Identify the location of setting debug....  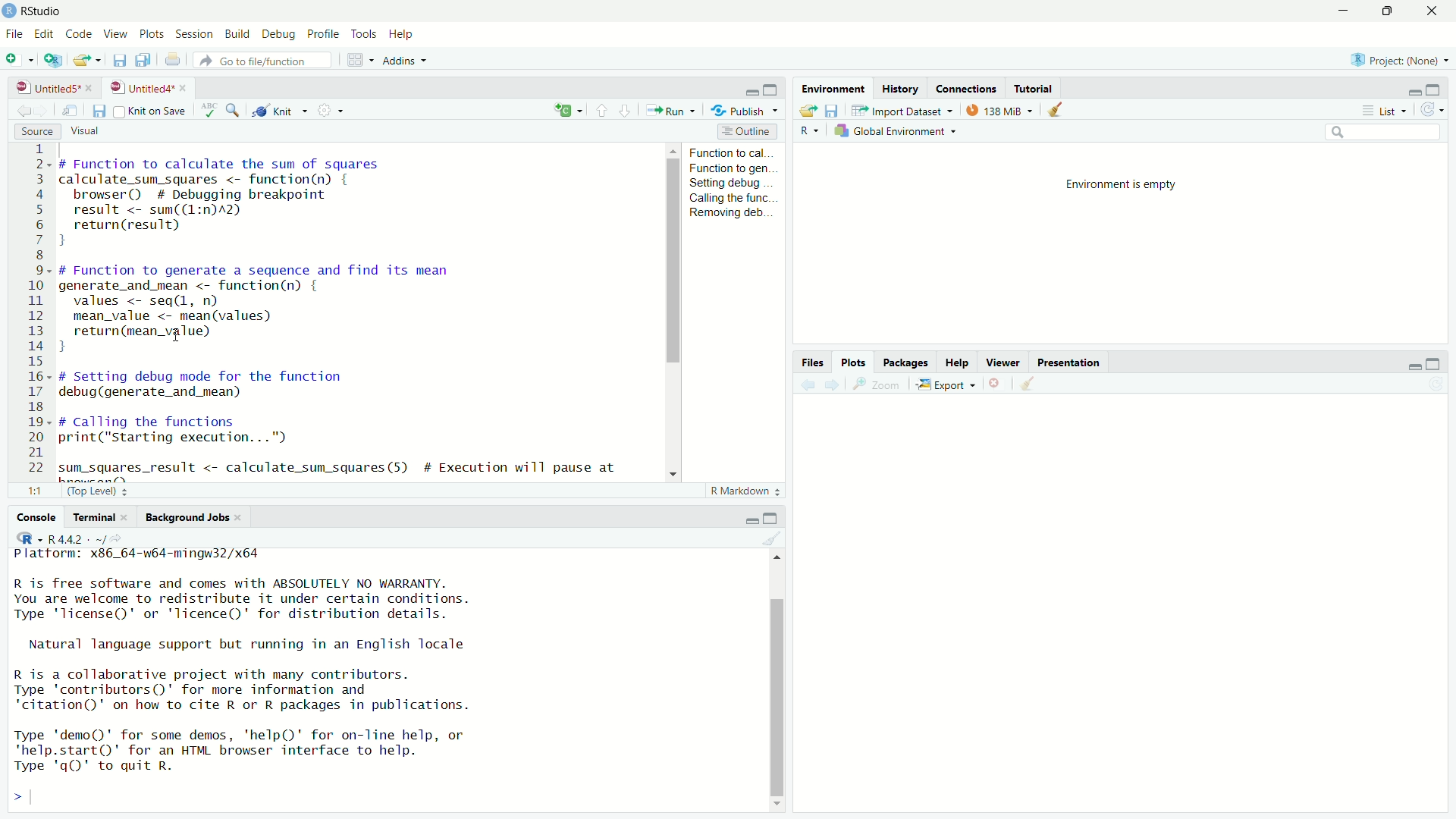
(733, 183).